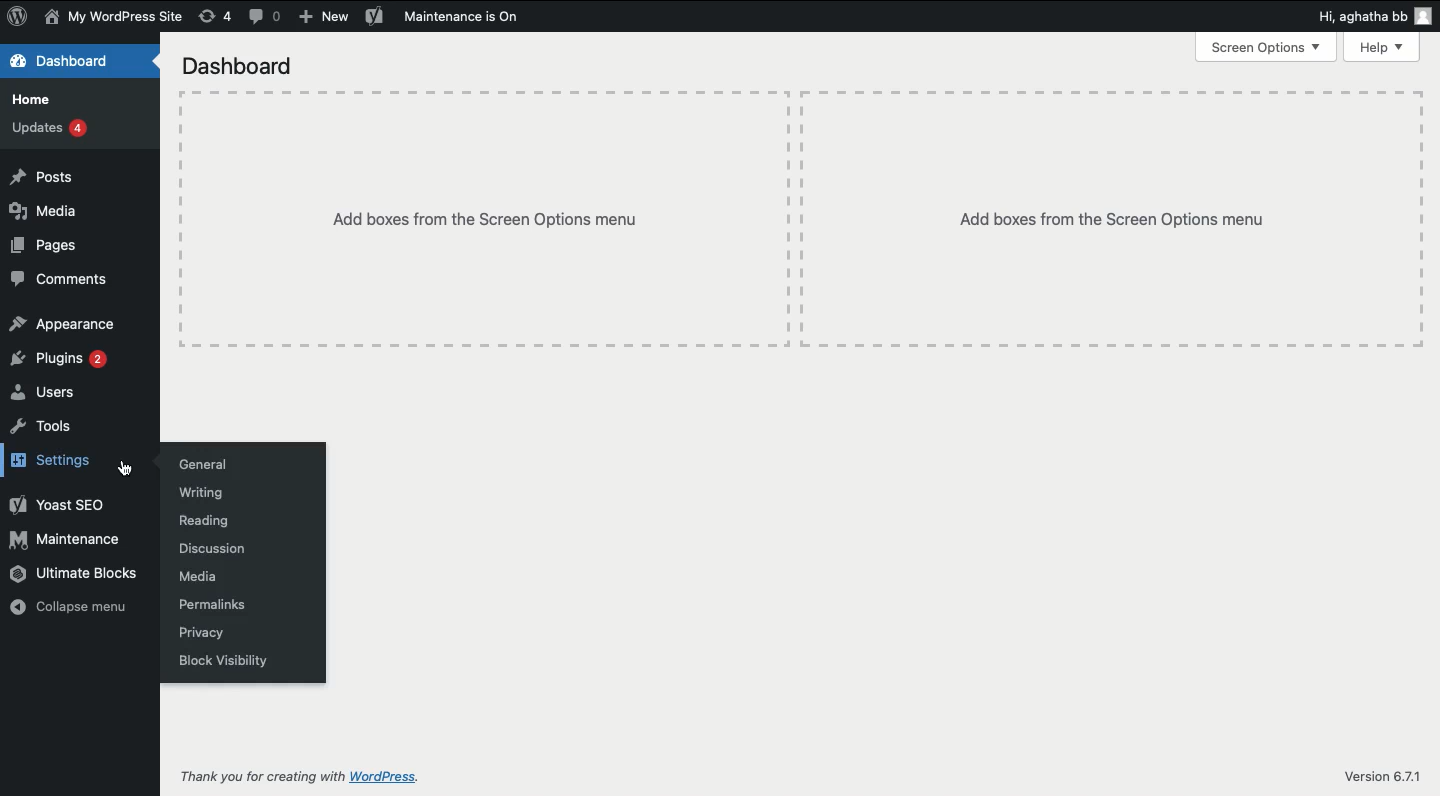 The image size is (1440, 796). Describe the element at coordinates (46, 245) in the screenshot. I see `pages` at that location.